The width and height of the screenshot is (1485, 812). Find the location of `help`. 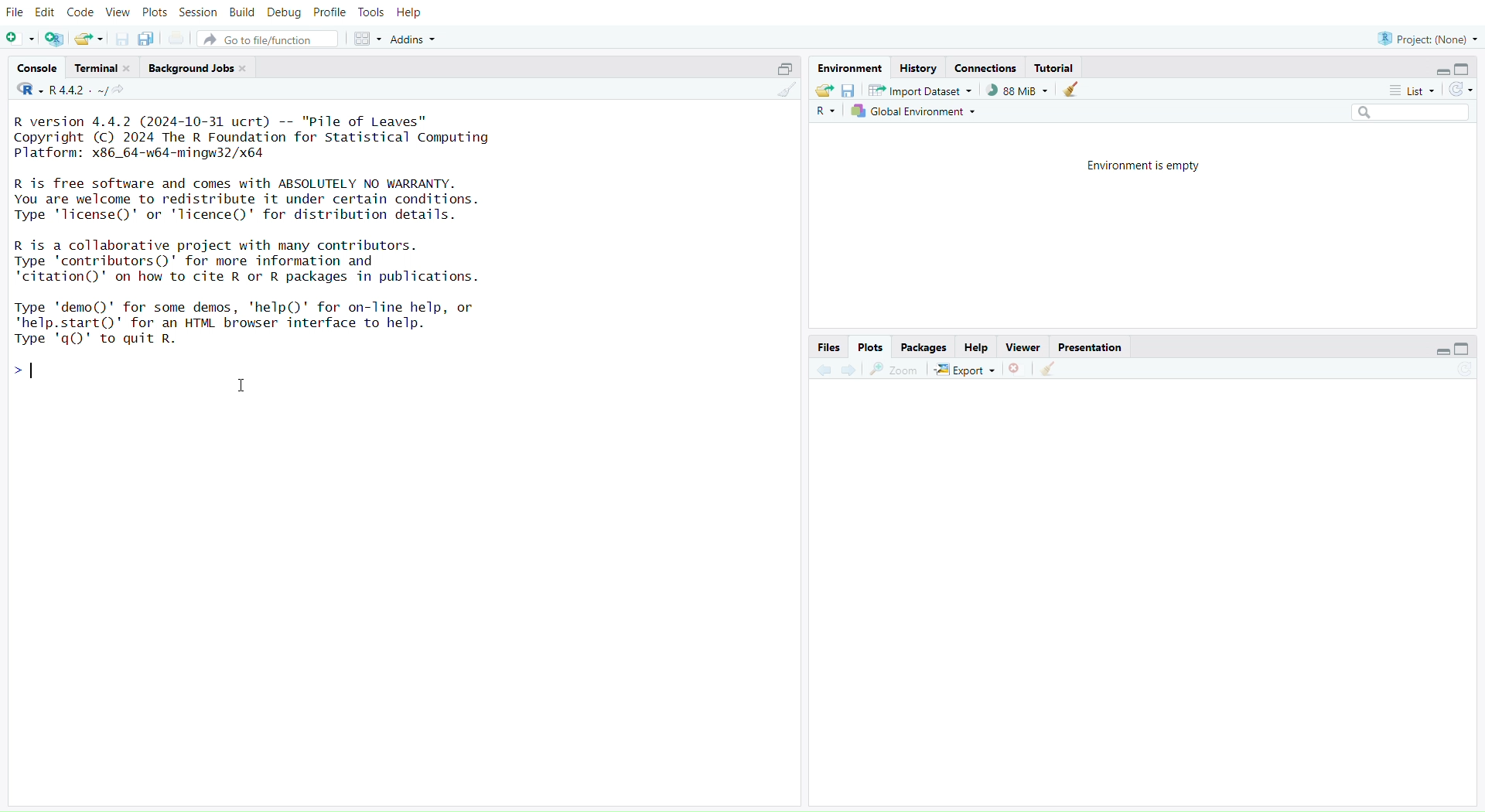

help is located at coordinates (977, 346).